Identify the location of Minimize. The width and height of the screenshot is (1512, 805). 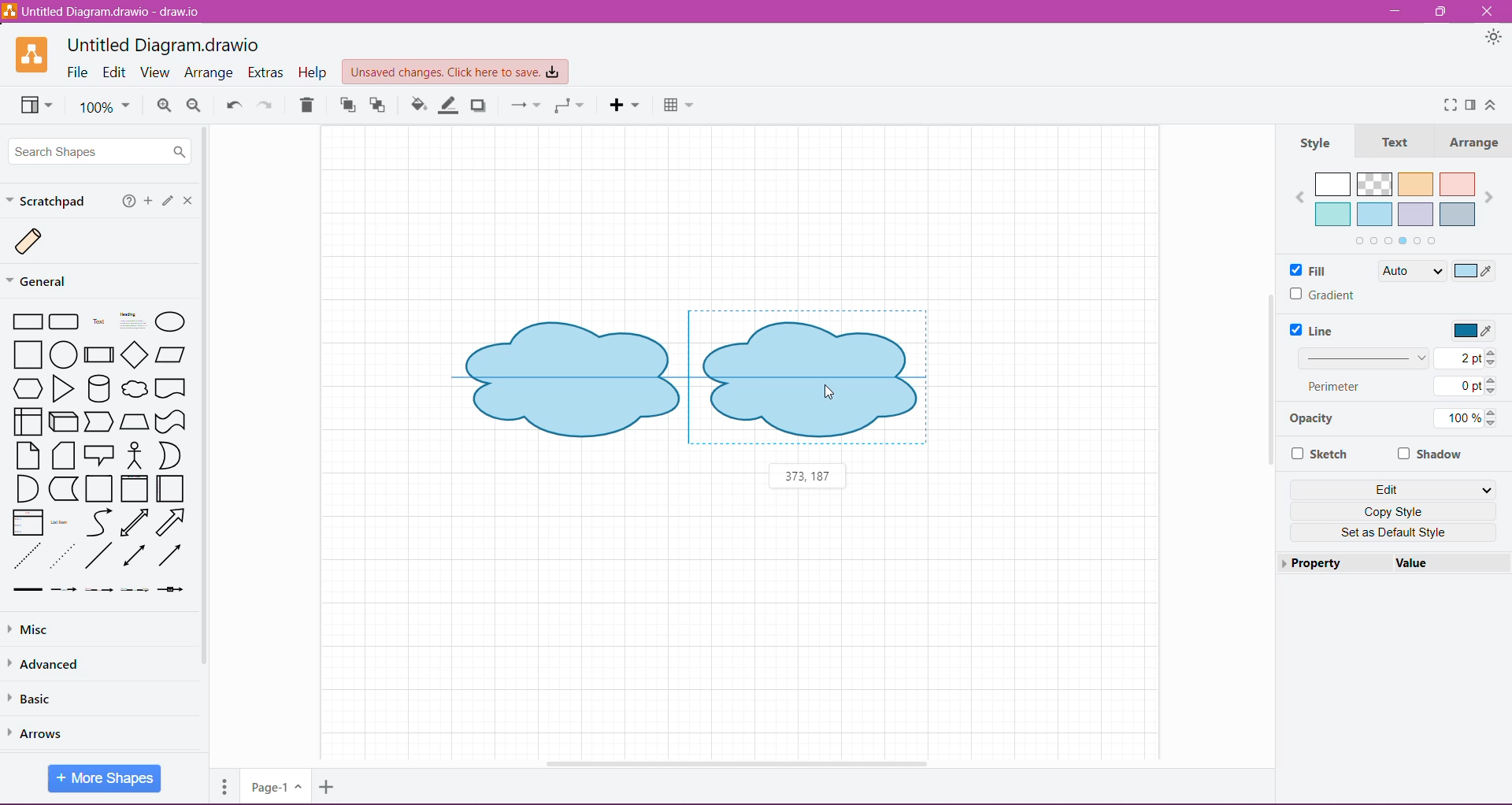
(1393, 12).